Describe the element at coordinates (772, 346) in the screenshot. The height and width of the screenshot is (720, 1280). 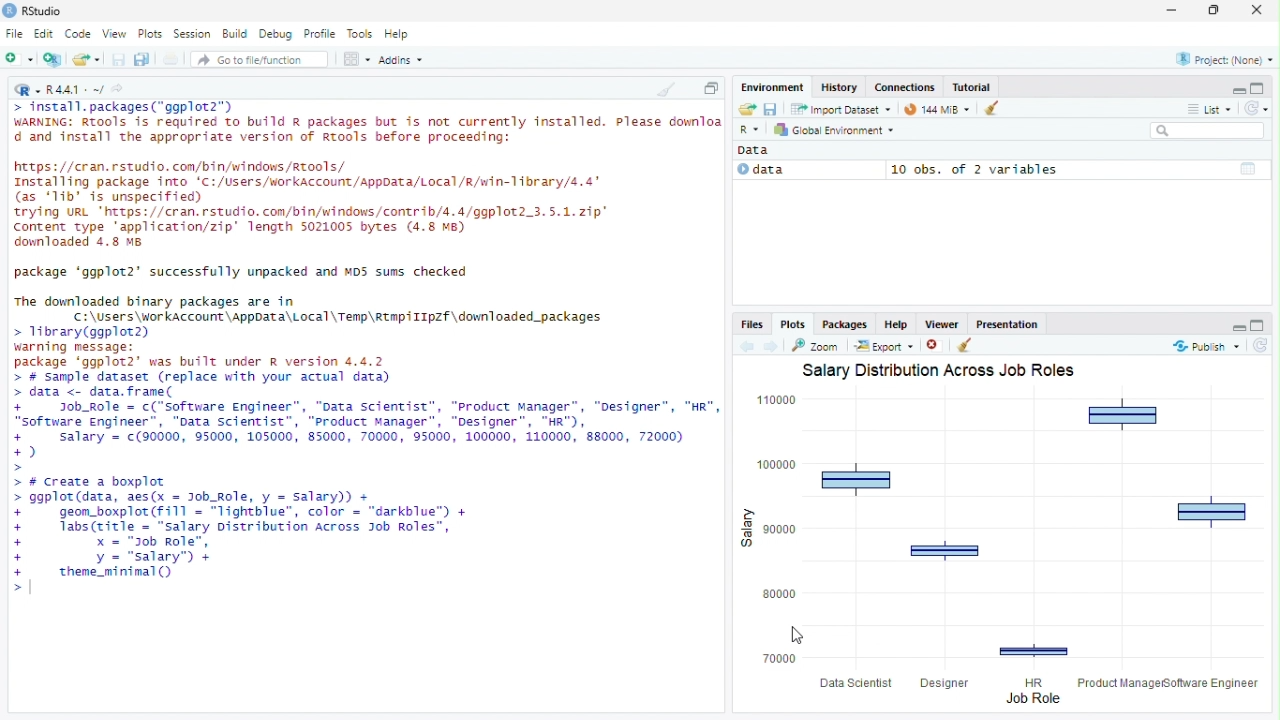
I see `next topic` at that location.